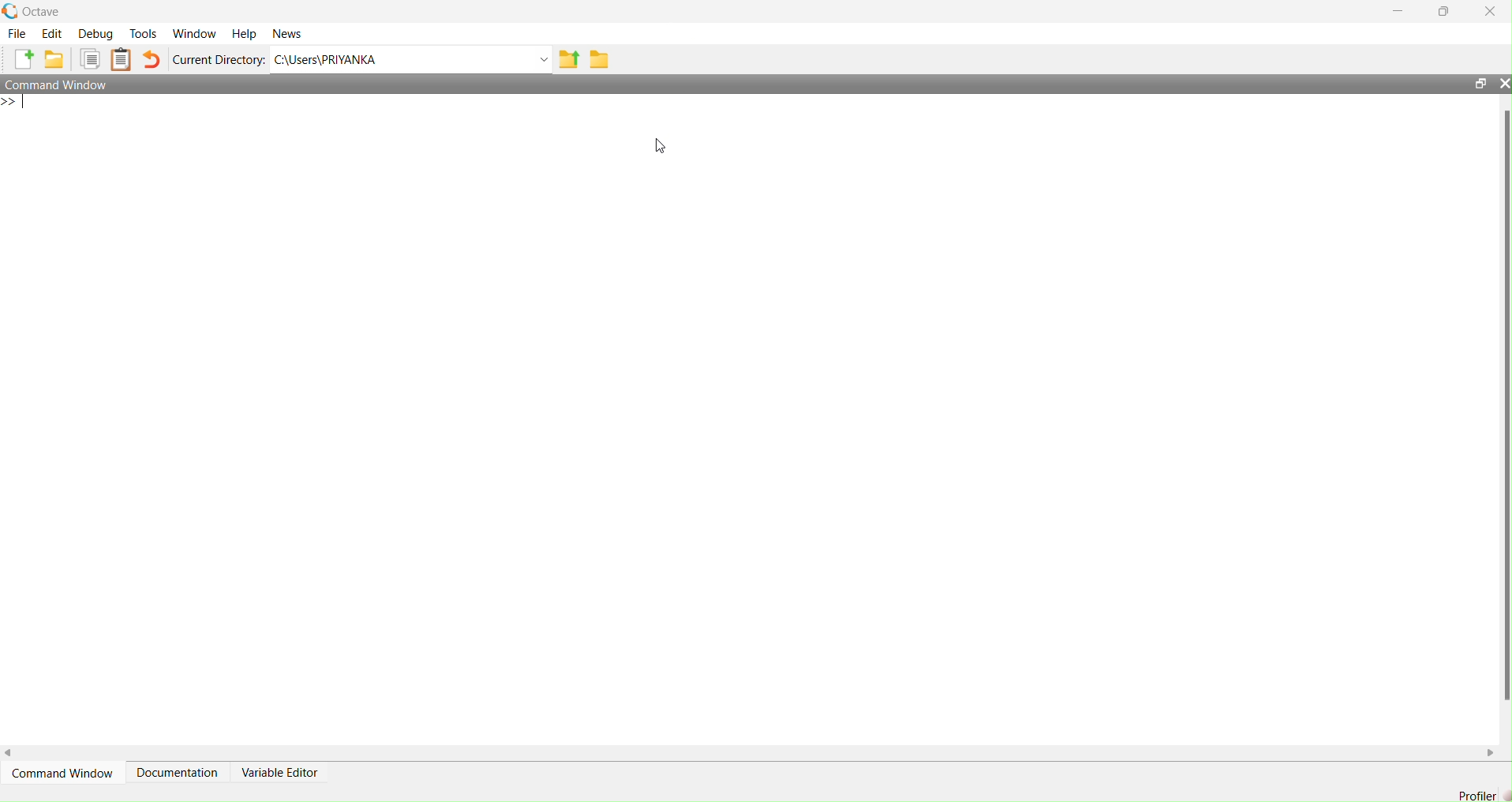 Image resolution: width=1512 pixels, height=802 pixels. What do you see at coordinates (141, 35) in the screenshot?
I see `Tools` at bounding box center [141, 35].